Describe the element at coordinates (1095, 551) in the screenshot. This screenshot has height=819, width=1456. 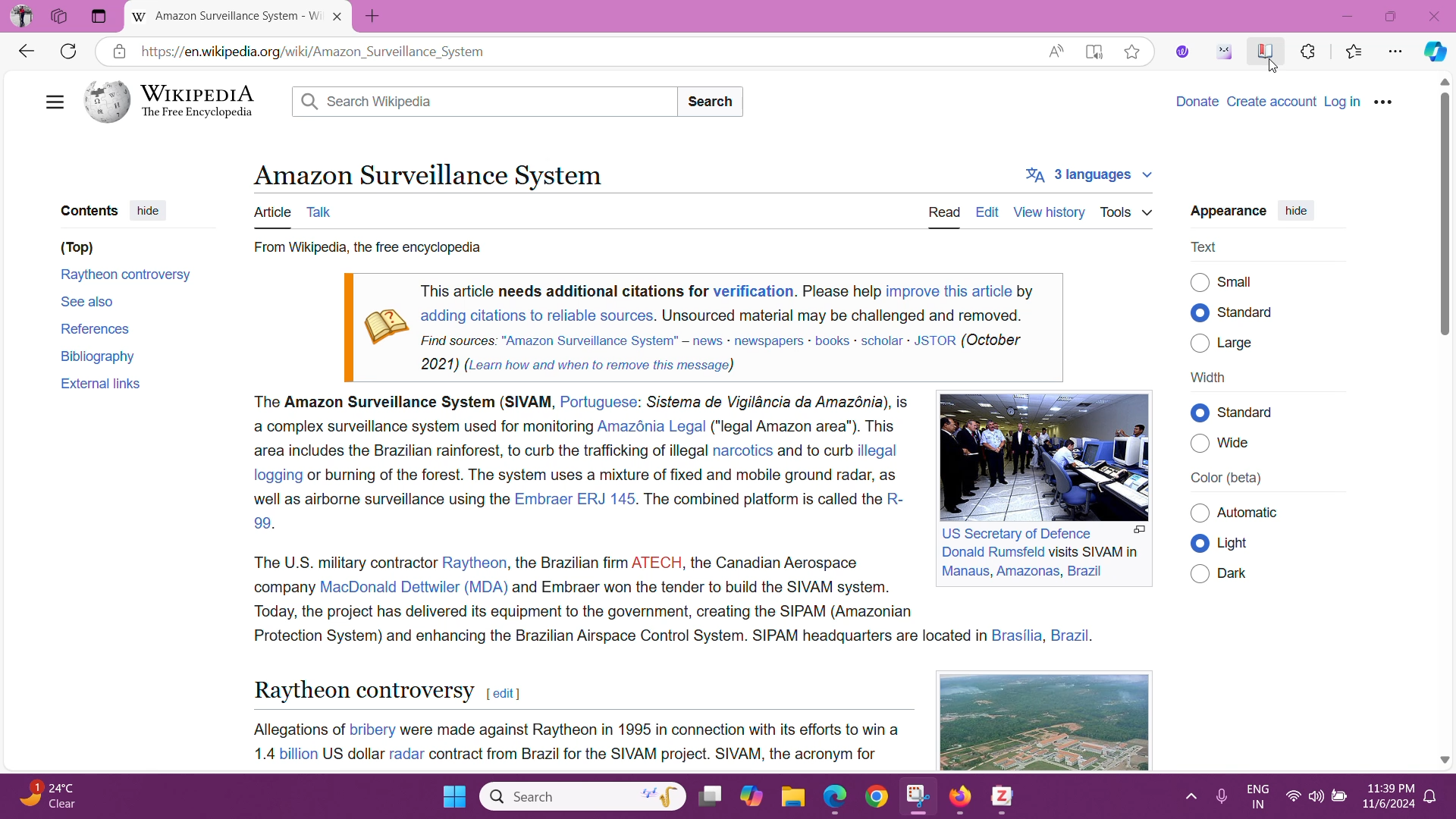
I see `visits SIVAM in` at that location.